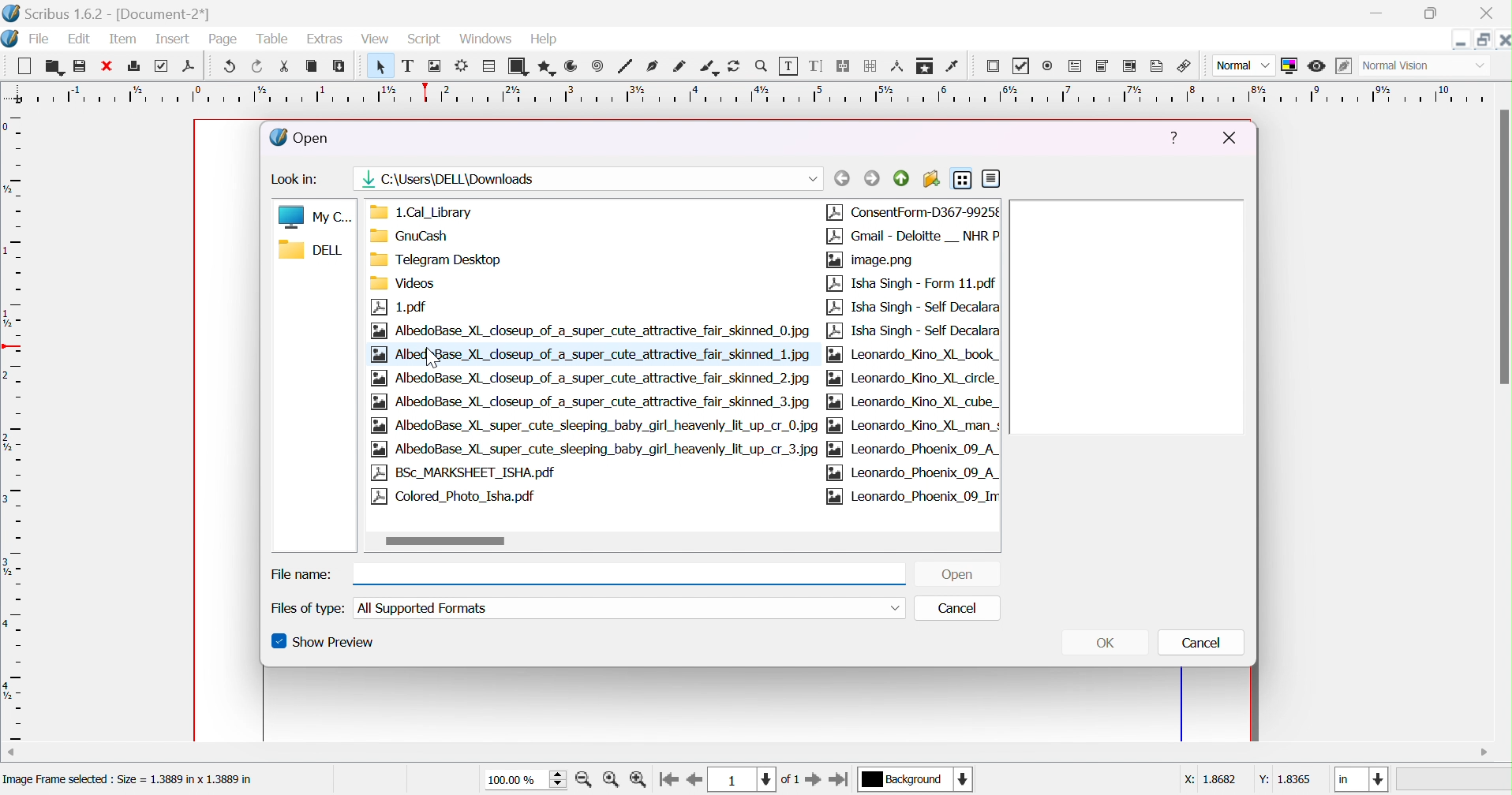 This screenshot has height=795, width=1512. What do you see at coordinates (896, 608) in the screenshot?
I see `drop down` at bounding box center [896, 608].